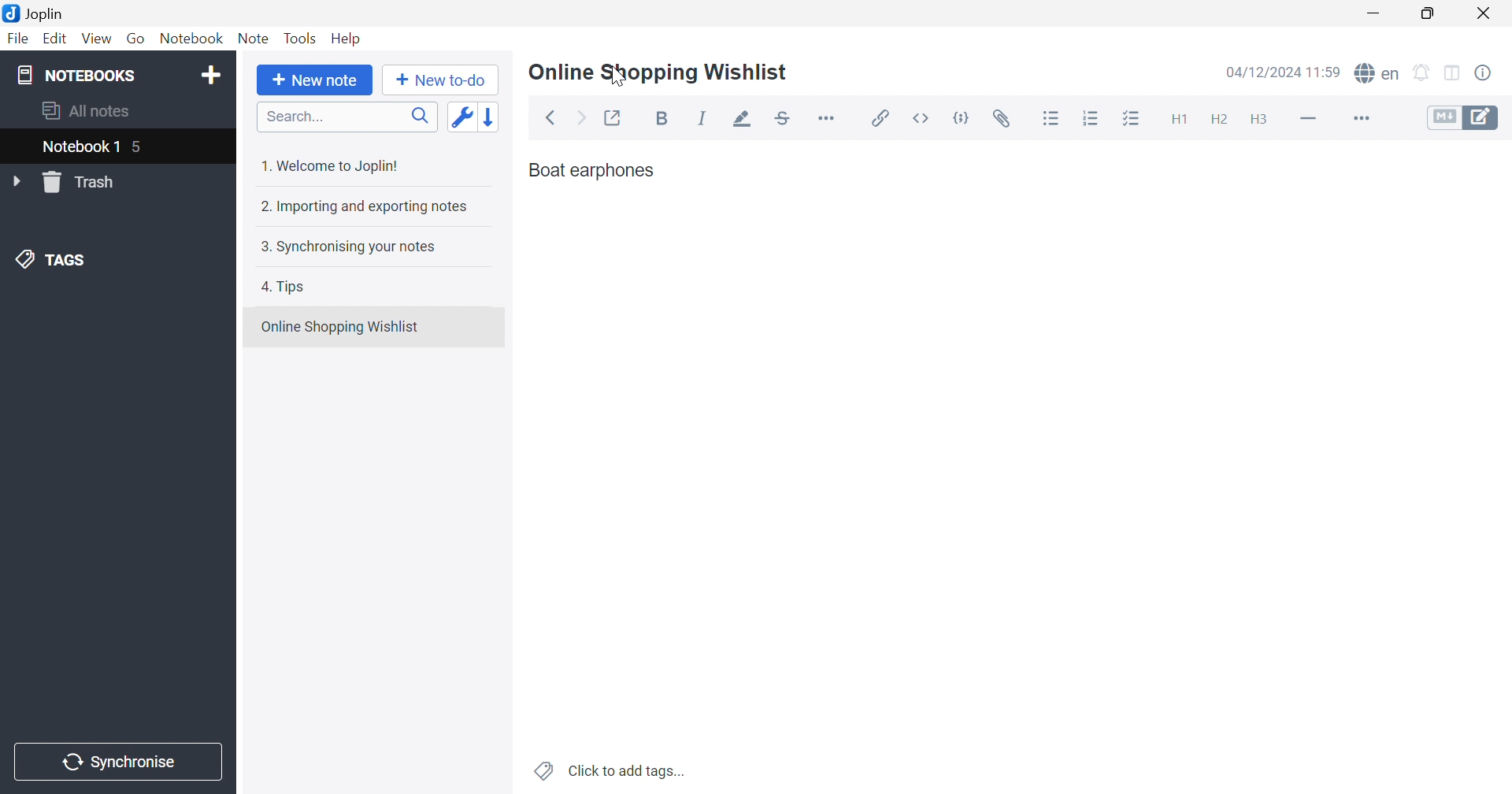  Describe the element at coordinates (584, 119) in the screenshot. I see `Forward` at that location.